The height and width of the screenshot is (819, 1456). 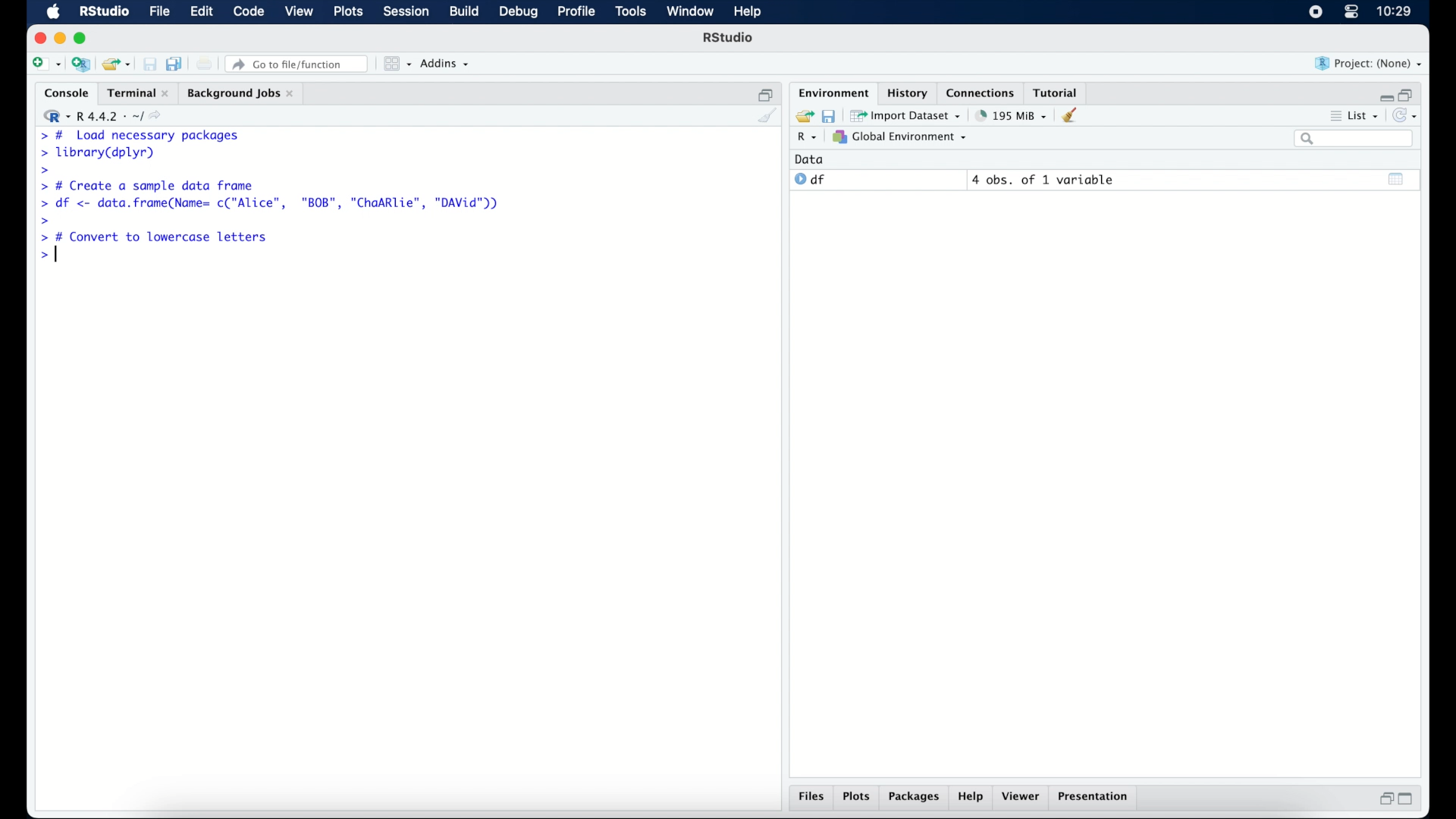 What do you see at coordinates (915, 799) in the screenshot?
I see `packages` at bounding box center [915, 799].